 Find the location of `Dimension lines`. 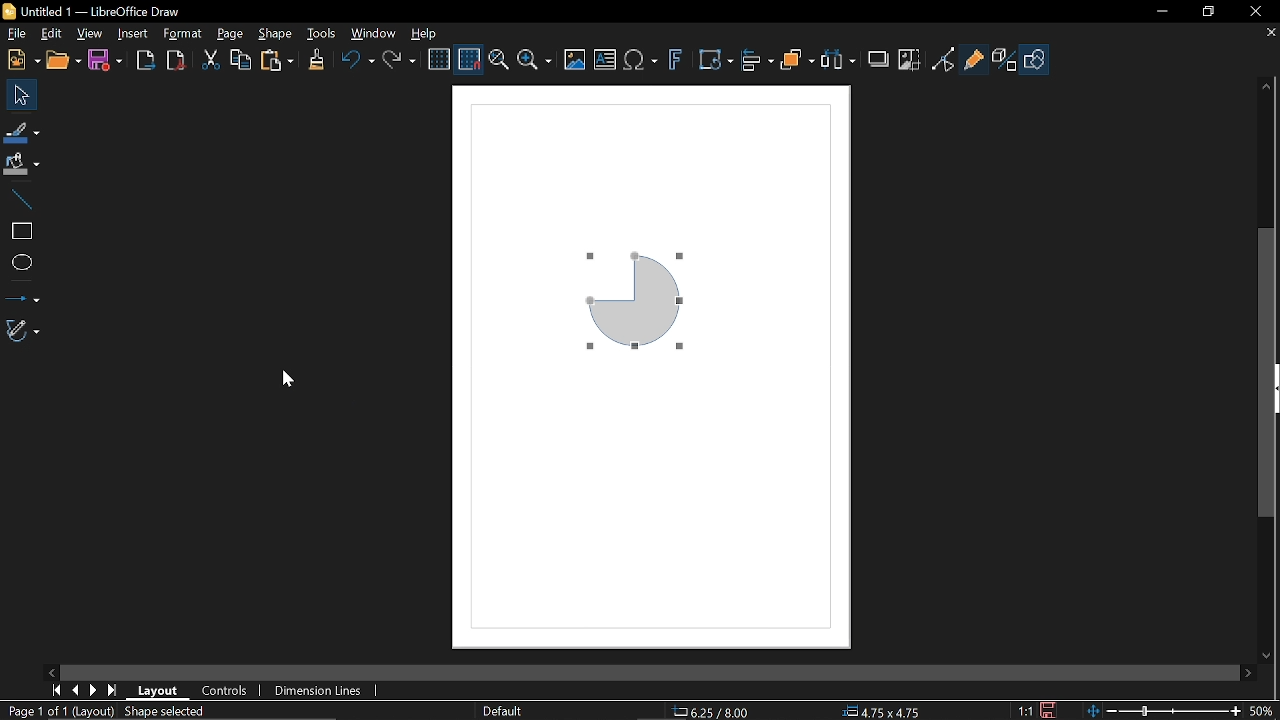

Dimension lines is located at coordinates (326, 689).